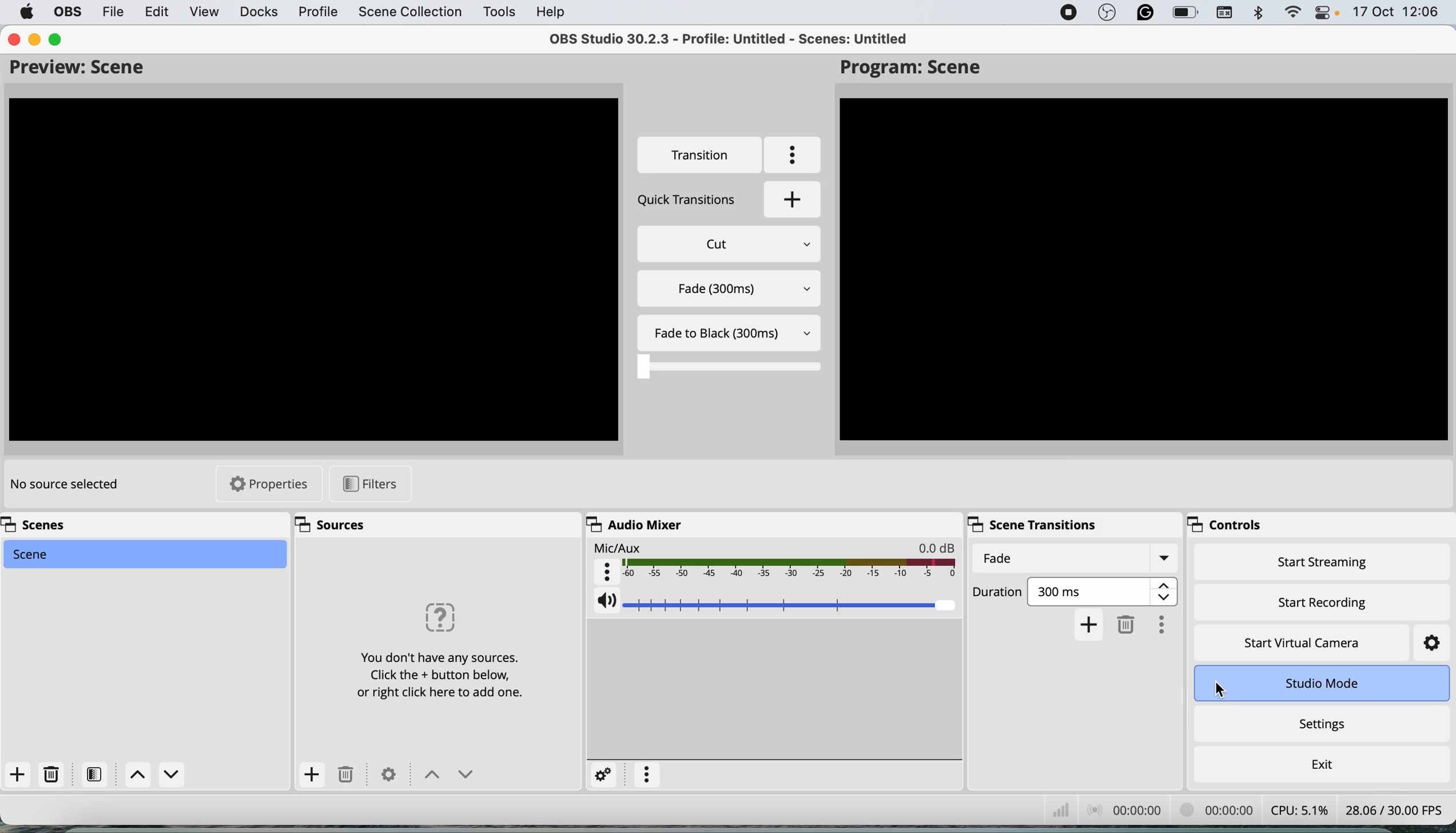 The image size is (1456, 833). I want to click on audio recording timestamp, so click(1120, 811).